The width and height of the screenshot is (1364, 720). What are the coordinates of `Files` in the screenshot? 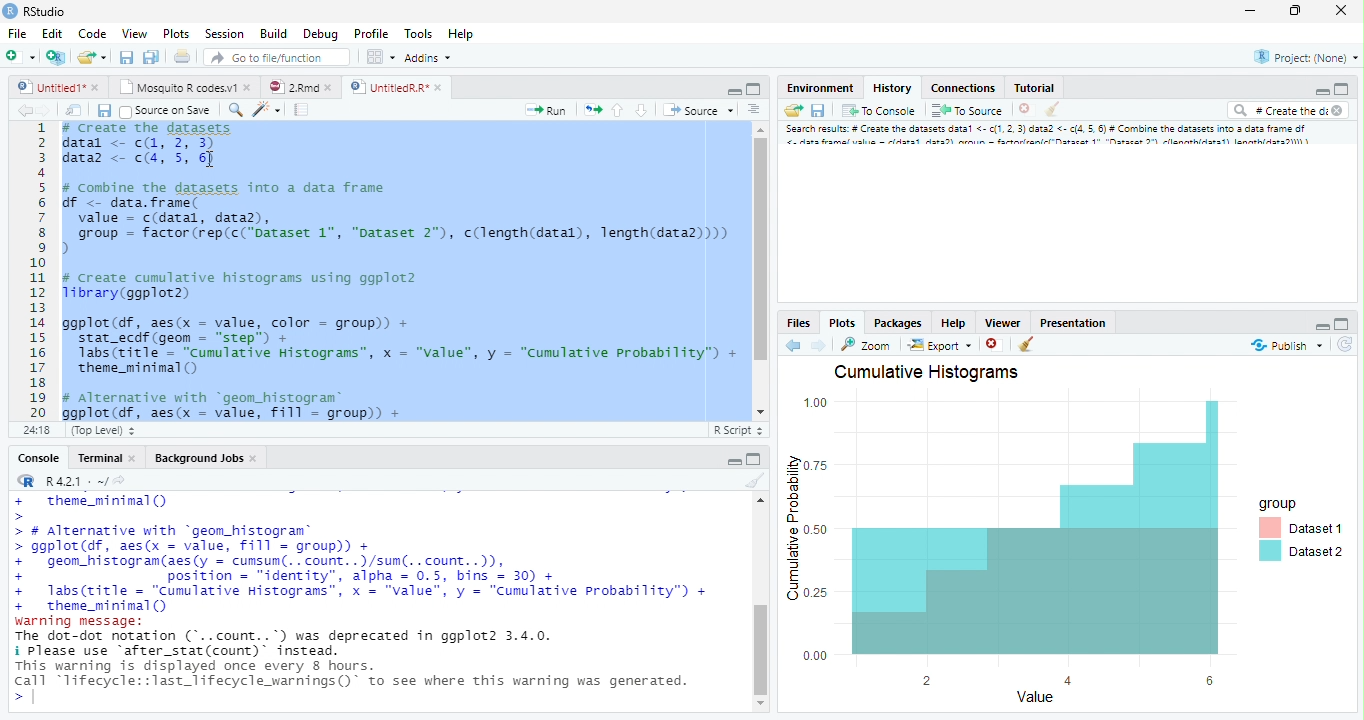 It's located at (798, 321).